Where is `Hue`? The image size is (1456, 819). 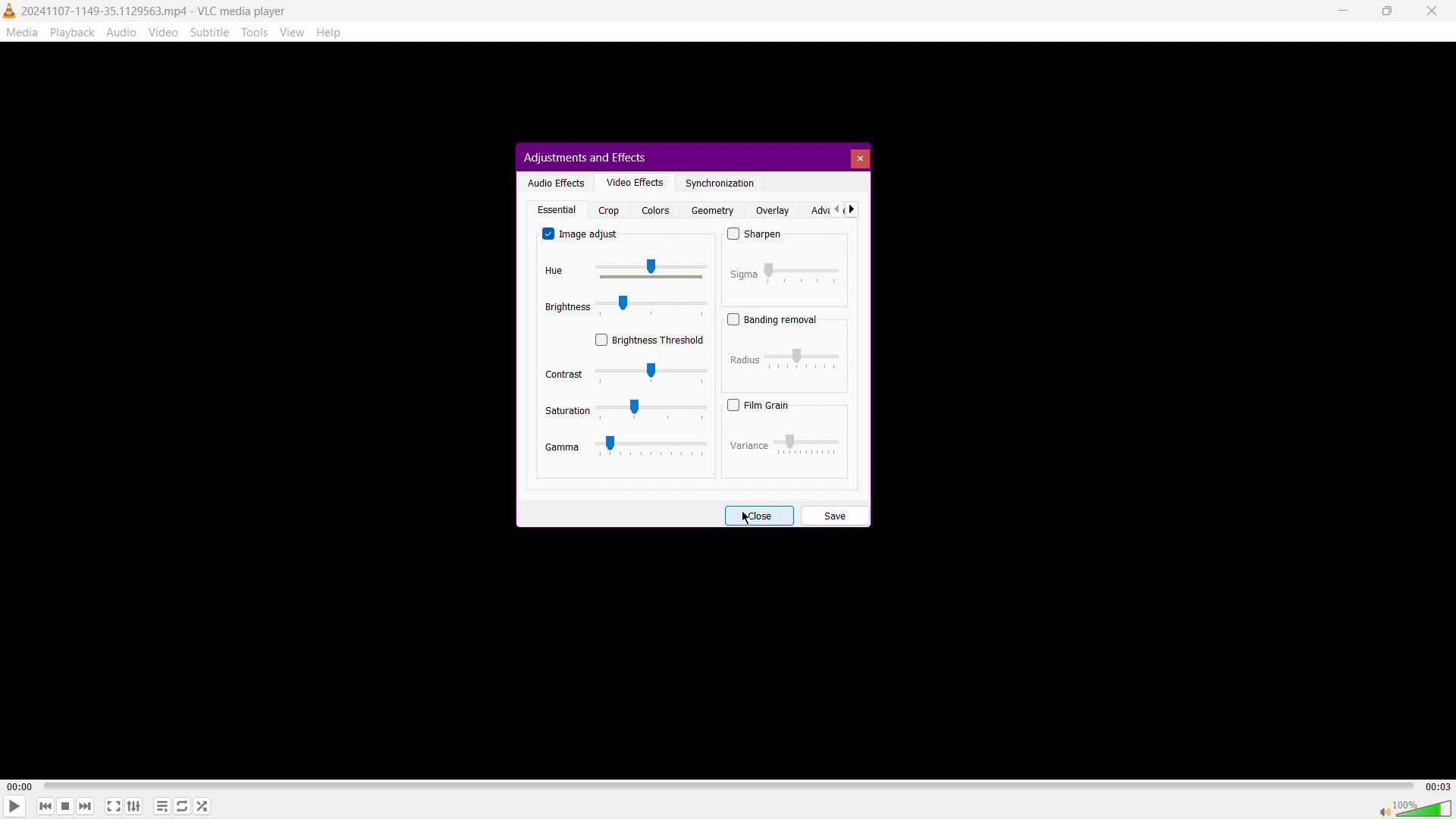
Hue is located at coordinates (619, 271).